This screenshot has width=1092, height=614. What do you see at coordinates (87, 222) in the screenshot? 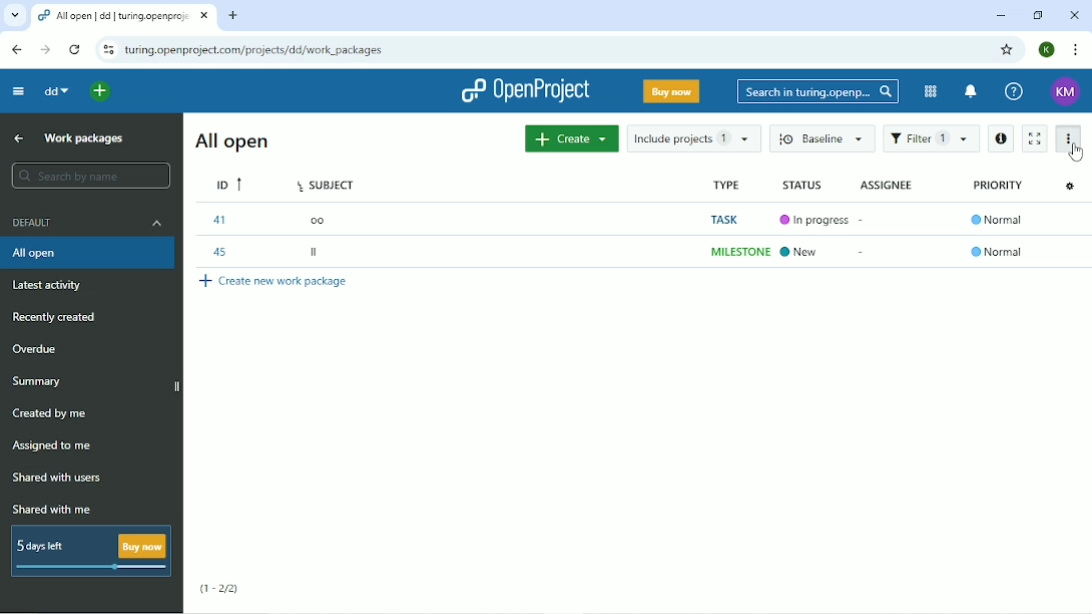
I see `Default` at bounding box center [87, 222].